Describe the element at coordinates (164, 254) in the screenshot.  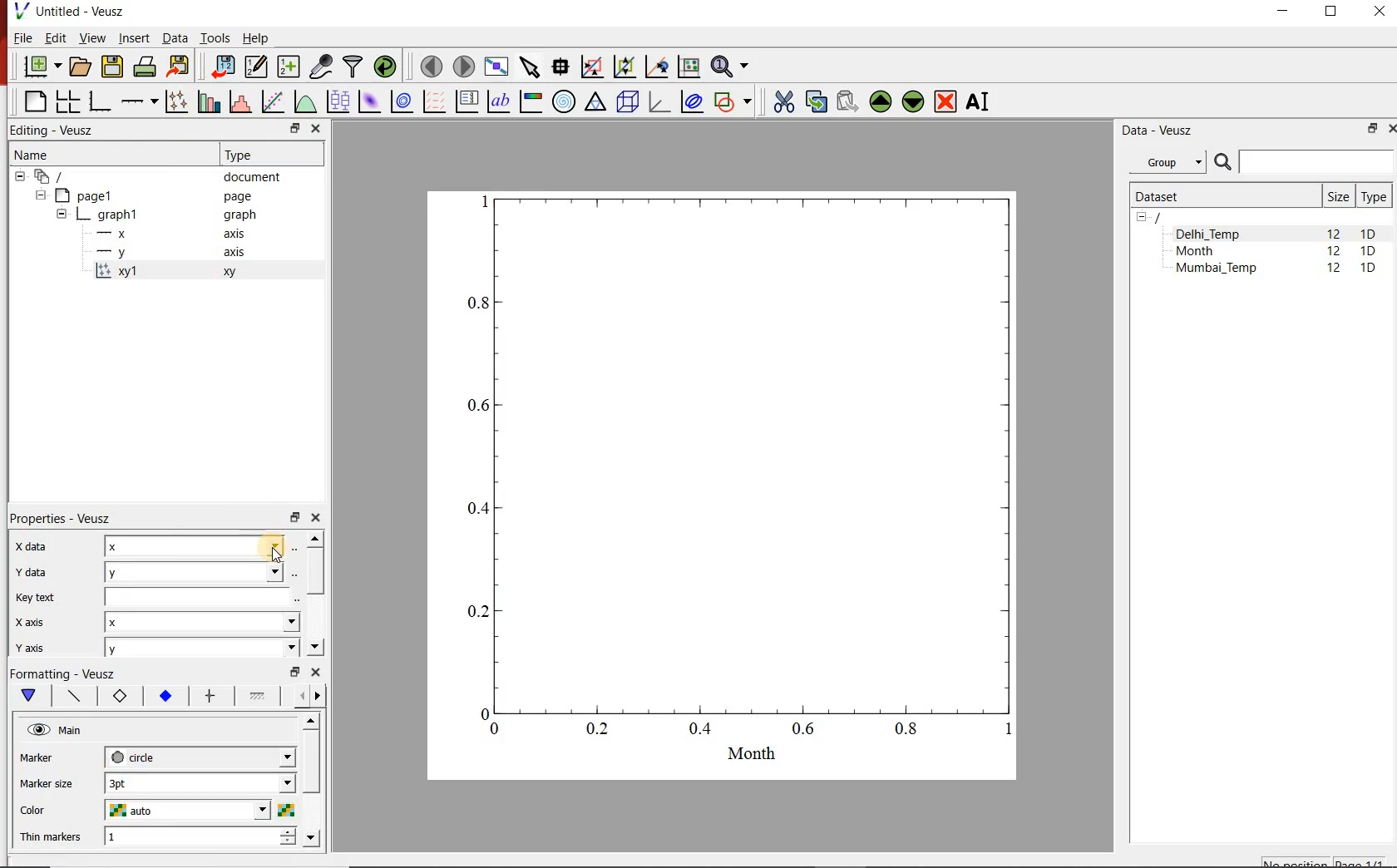
I see `-y axis` at that location.